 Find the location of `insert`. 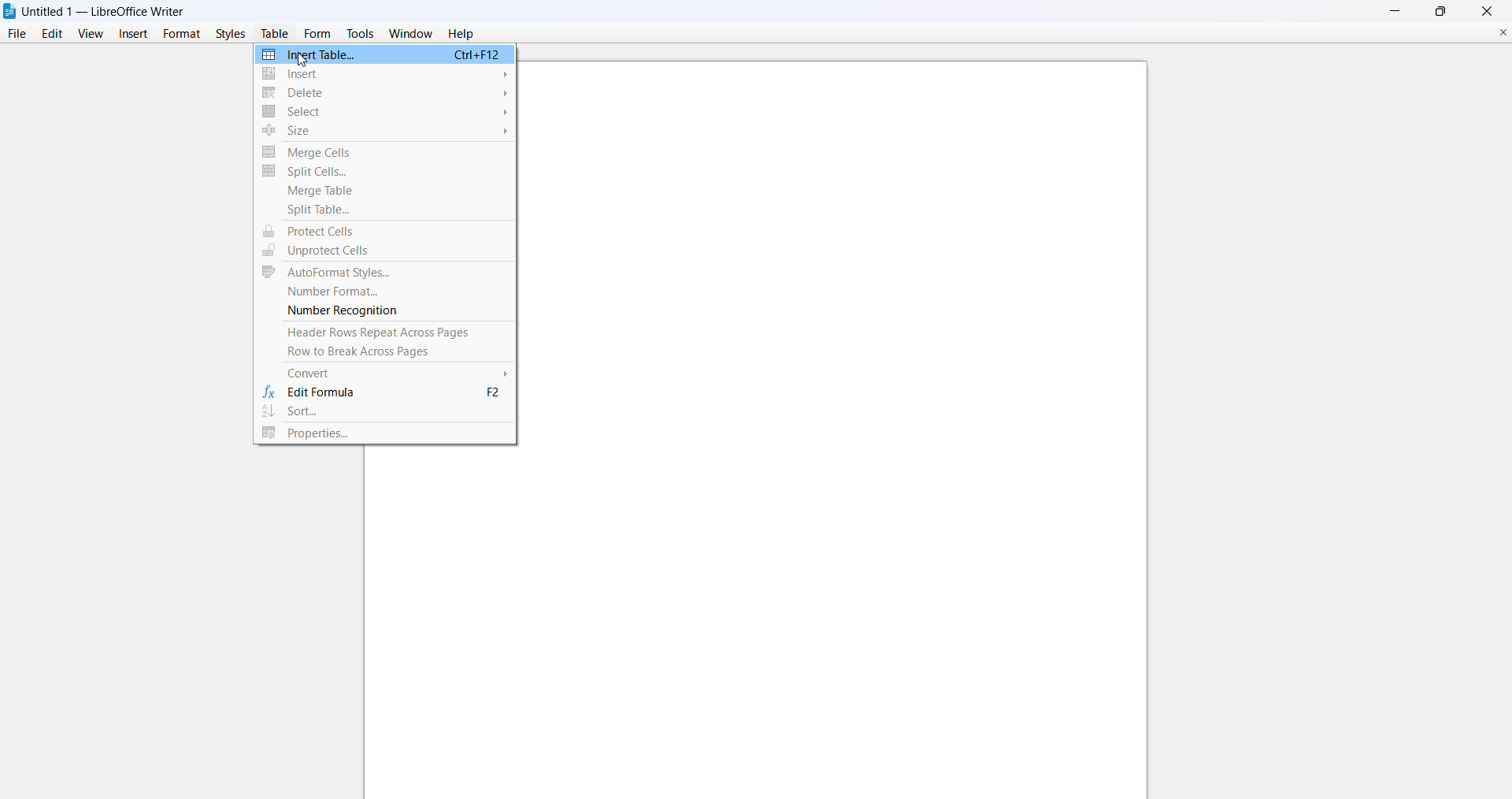

insert is located at coordinates (386, 74).